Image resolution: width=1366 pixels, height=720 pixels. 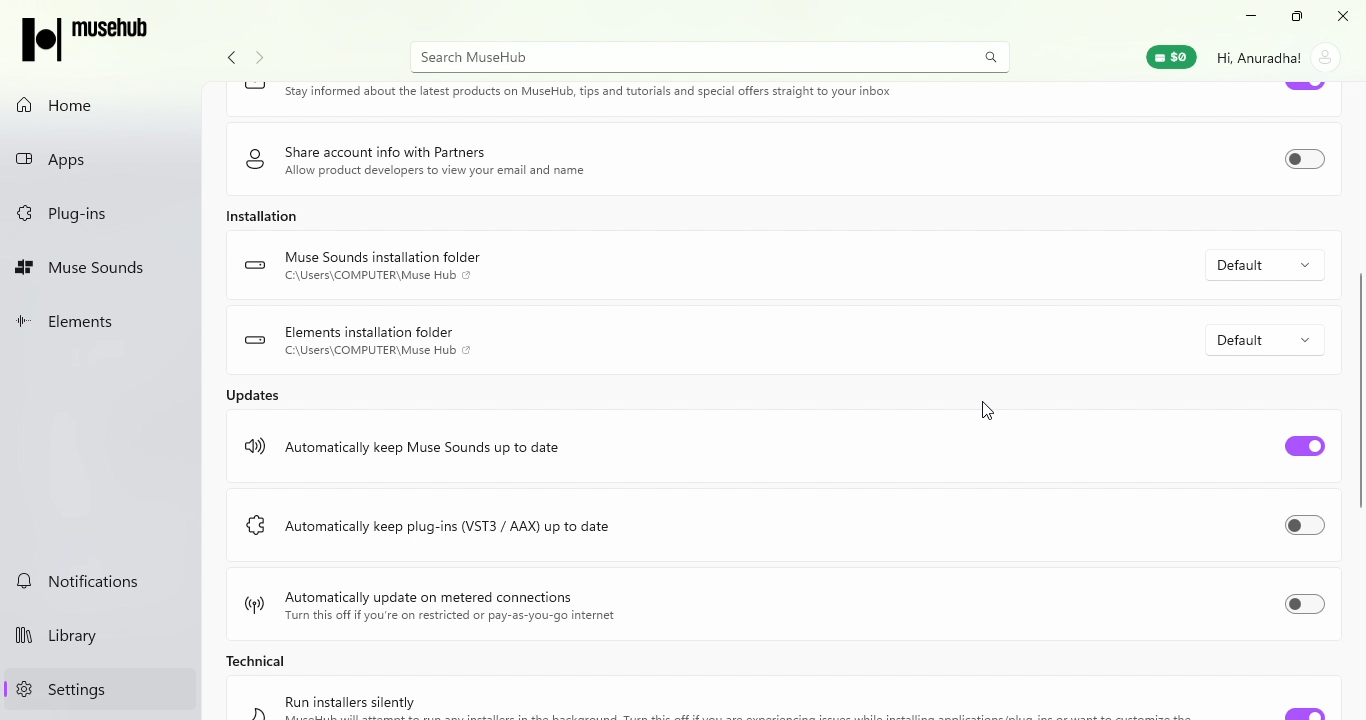 I want to click on Toggle, so click(x=1304, y=160).